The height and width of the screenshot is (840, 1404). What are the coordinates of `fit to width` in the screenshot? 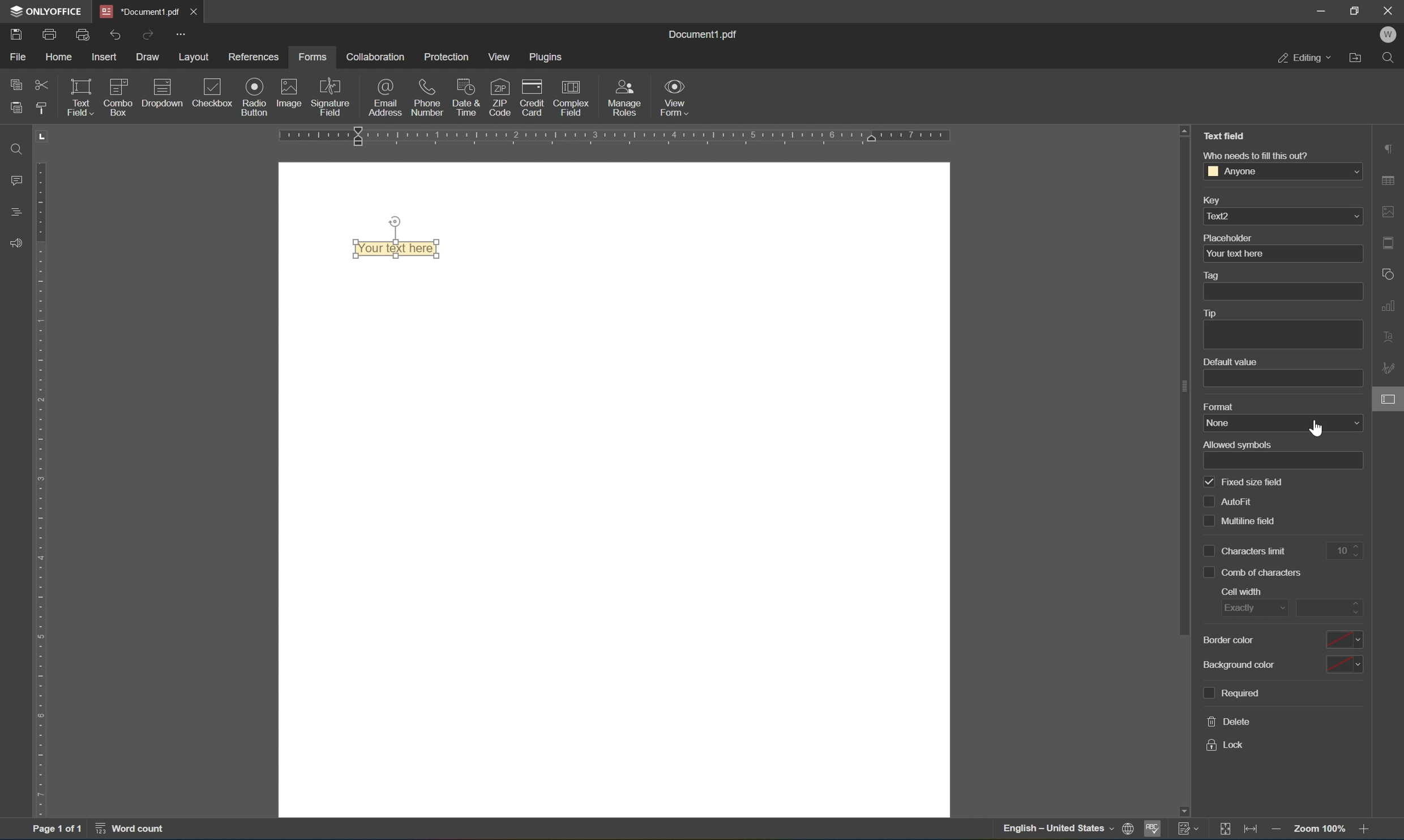 It's located at (1251, 832).